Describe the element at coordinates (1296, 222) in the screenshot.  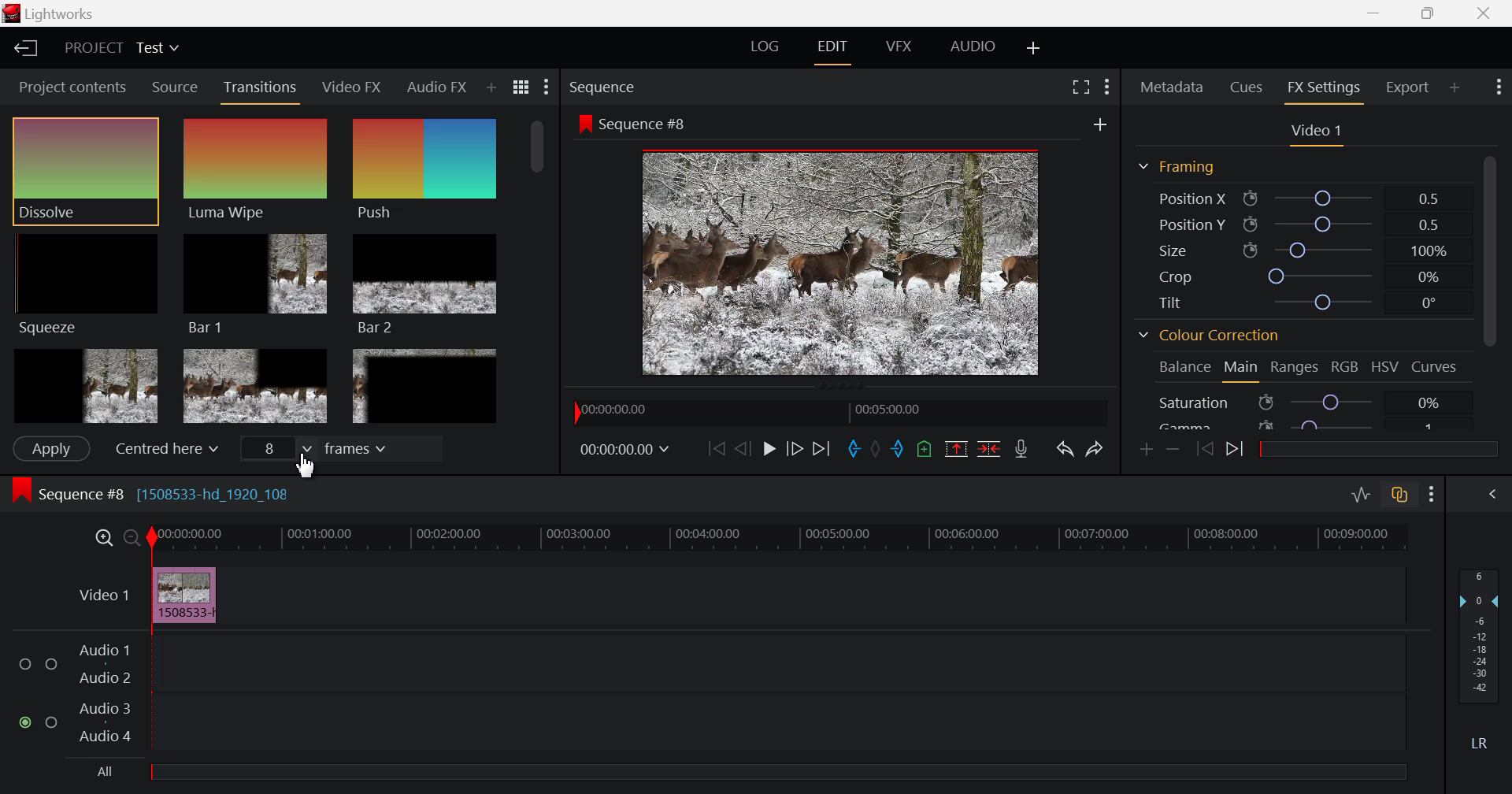
I see `Position Y` at that location.